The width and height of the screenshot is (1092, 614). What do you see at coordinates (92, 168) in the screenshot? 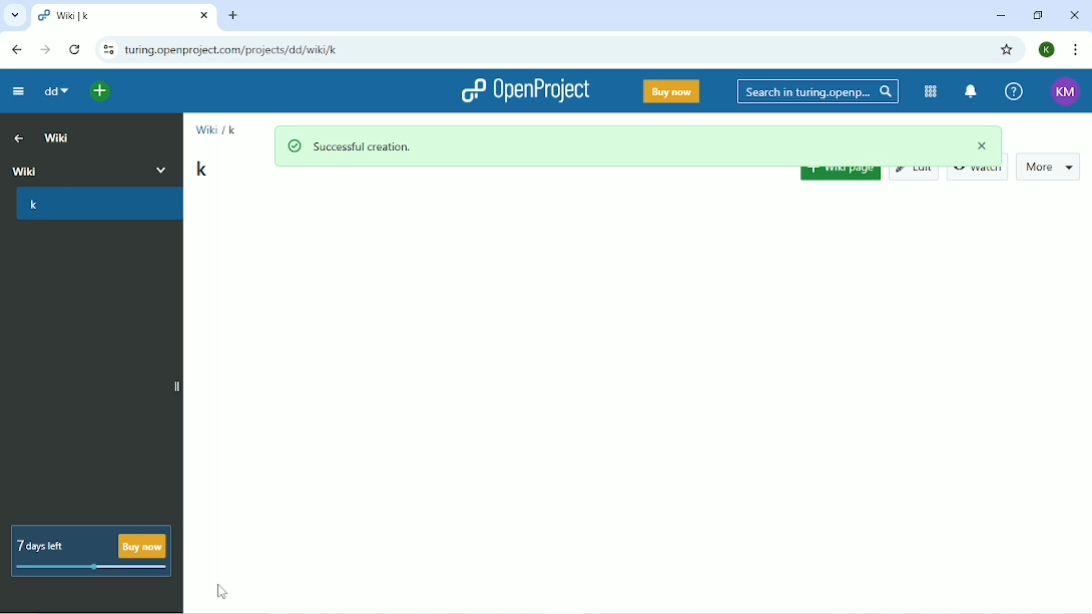
I see `Wiki` at bounding box center [92, 168].